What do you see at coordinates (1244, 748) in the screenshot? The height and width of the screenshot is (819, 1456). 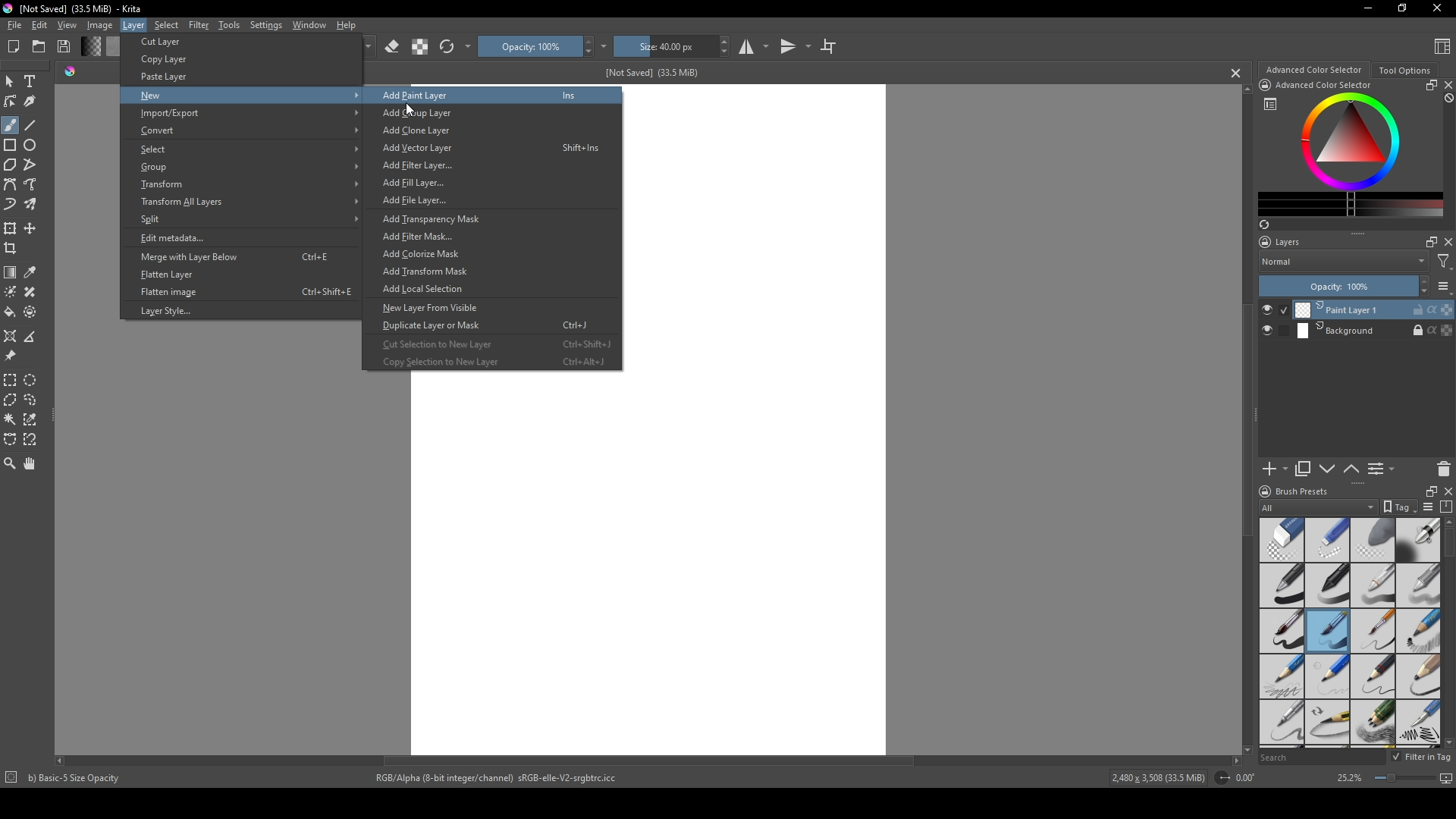 I see `scroll down` at bounding box center [1244, 748].